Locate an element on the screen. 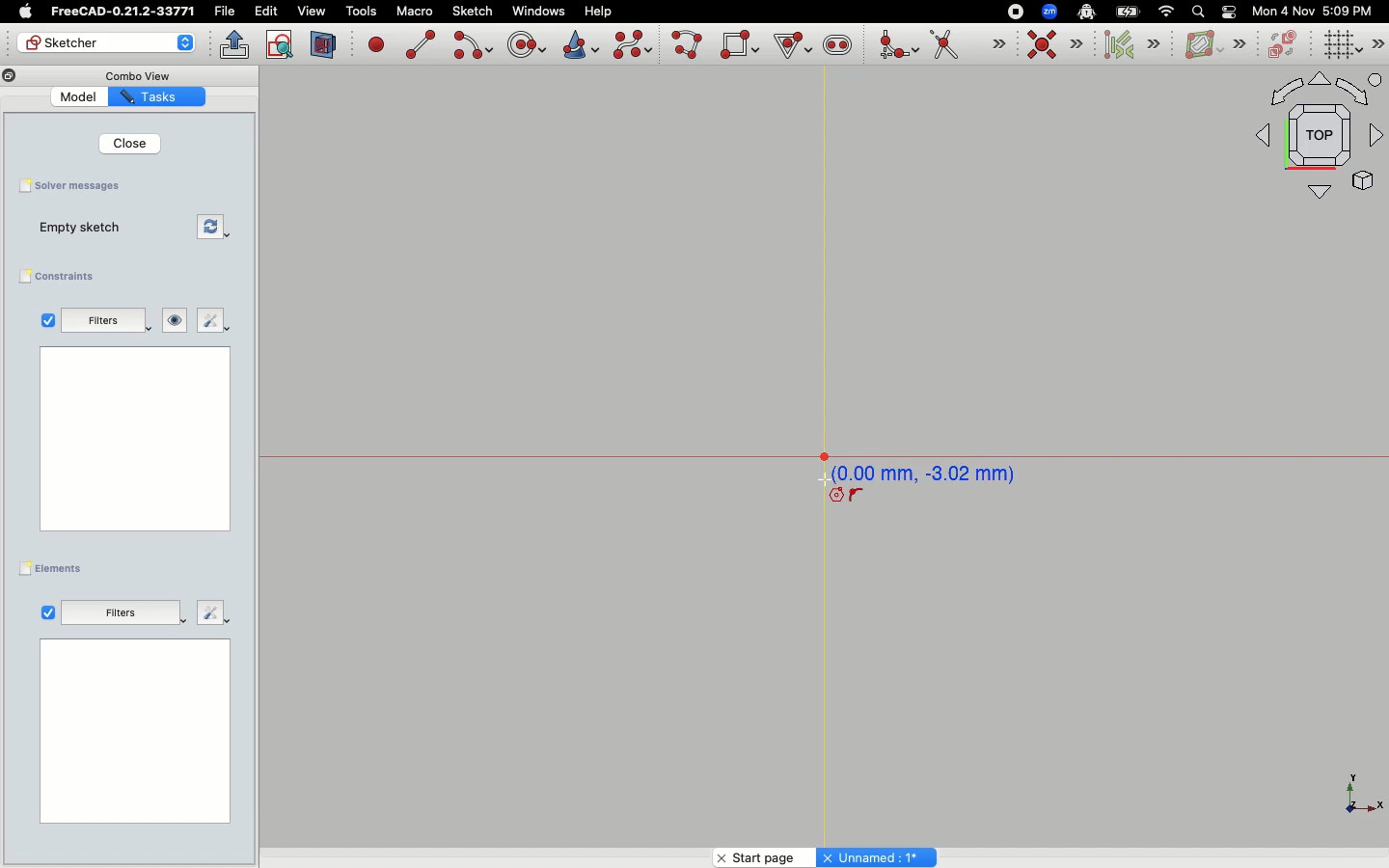 The width and height of the screenshot is (1389, 868). Constraints is located at coordinates (62, 277).